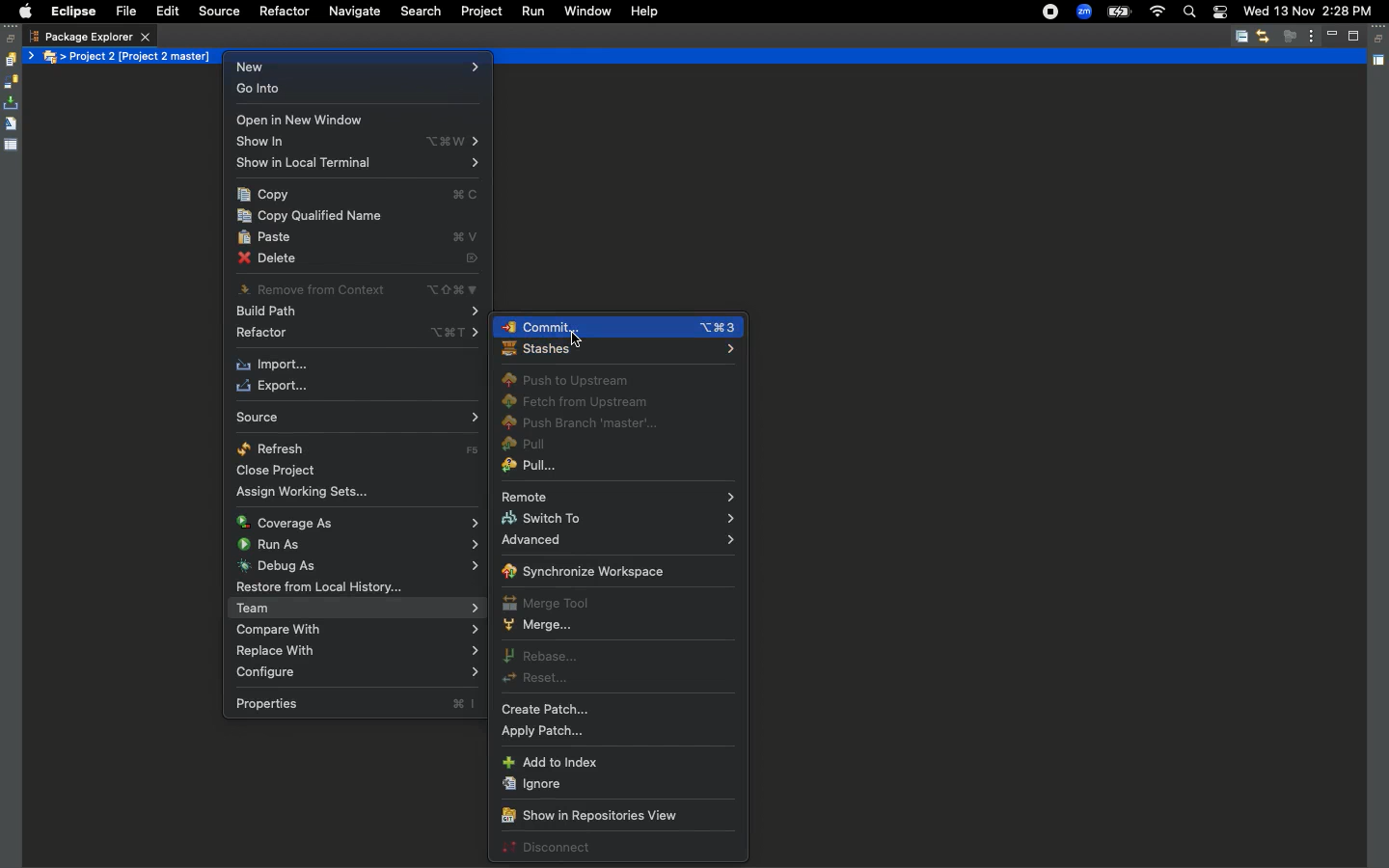 This screenshot has height=868, width=1389. What do you see at coordinates (355, 521) in the screenshot?
I see `Coverage as` at bounding box center [355, 521].